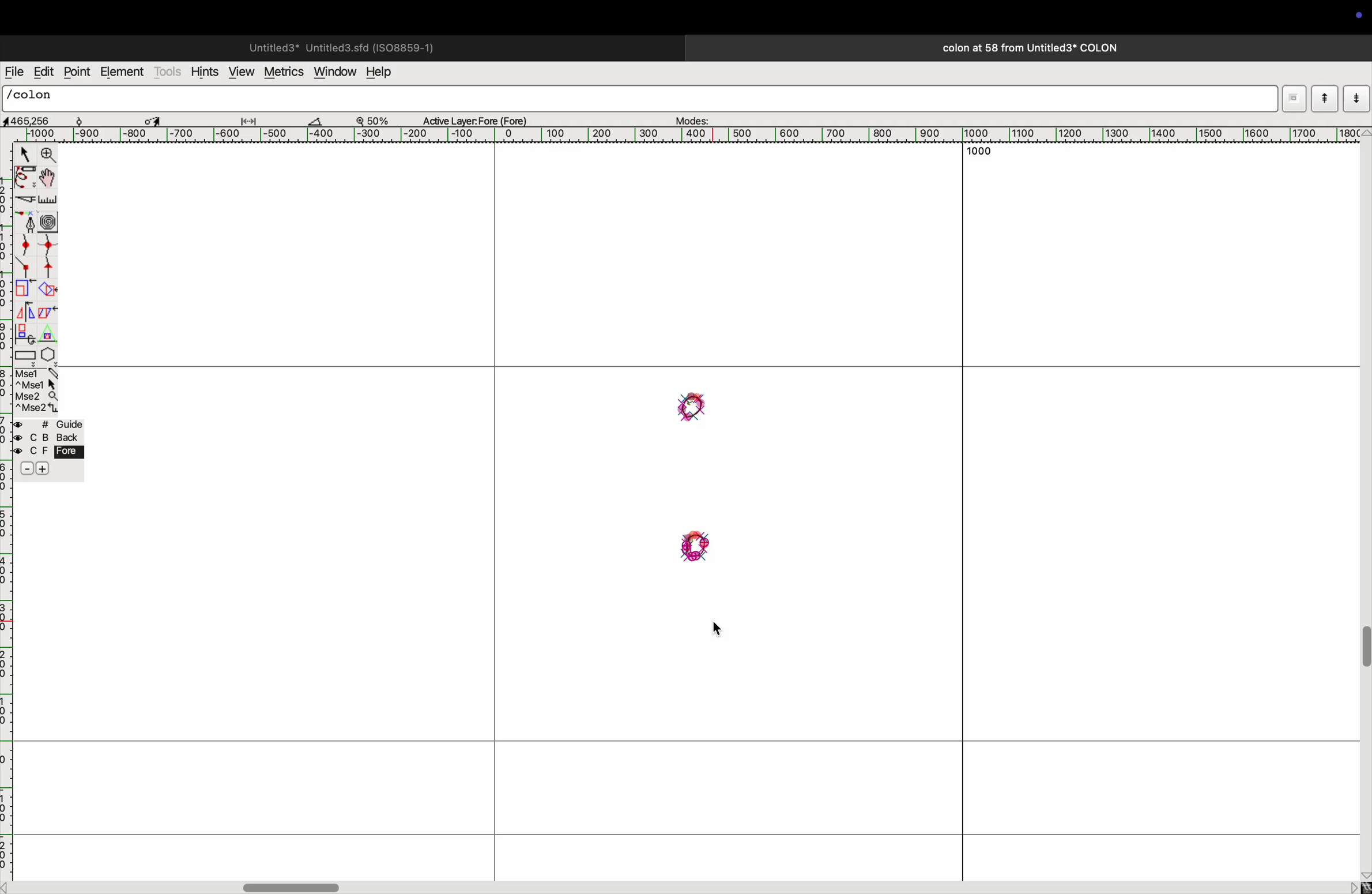 This screenshot has width=1372, height=894. I want to click on cursor, so click(22, 153).